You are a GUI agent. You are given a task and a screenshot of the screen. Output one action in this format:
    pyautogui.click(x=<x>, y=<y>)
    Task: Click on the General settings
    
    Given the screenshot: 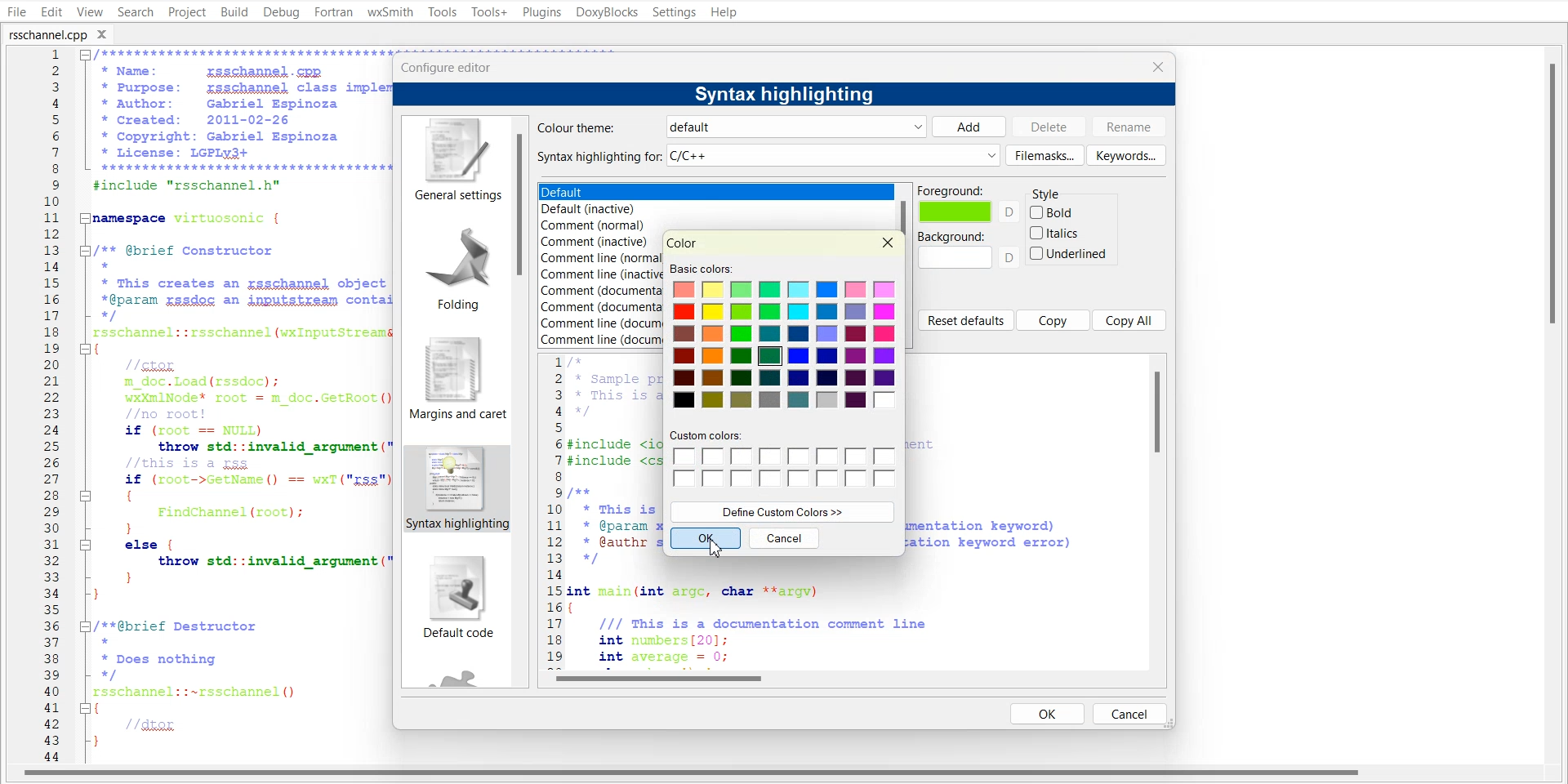 What is the action you would take?
    pyautogui.click(x=455, y=160)
    